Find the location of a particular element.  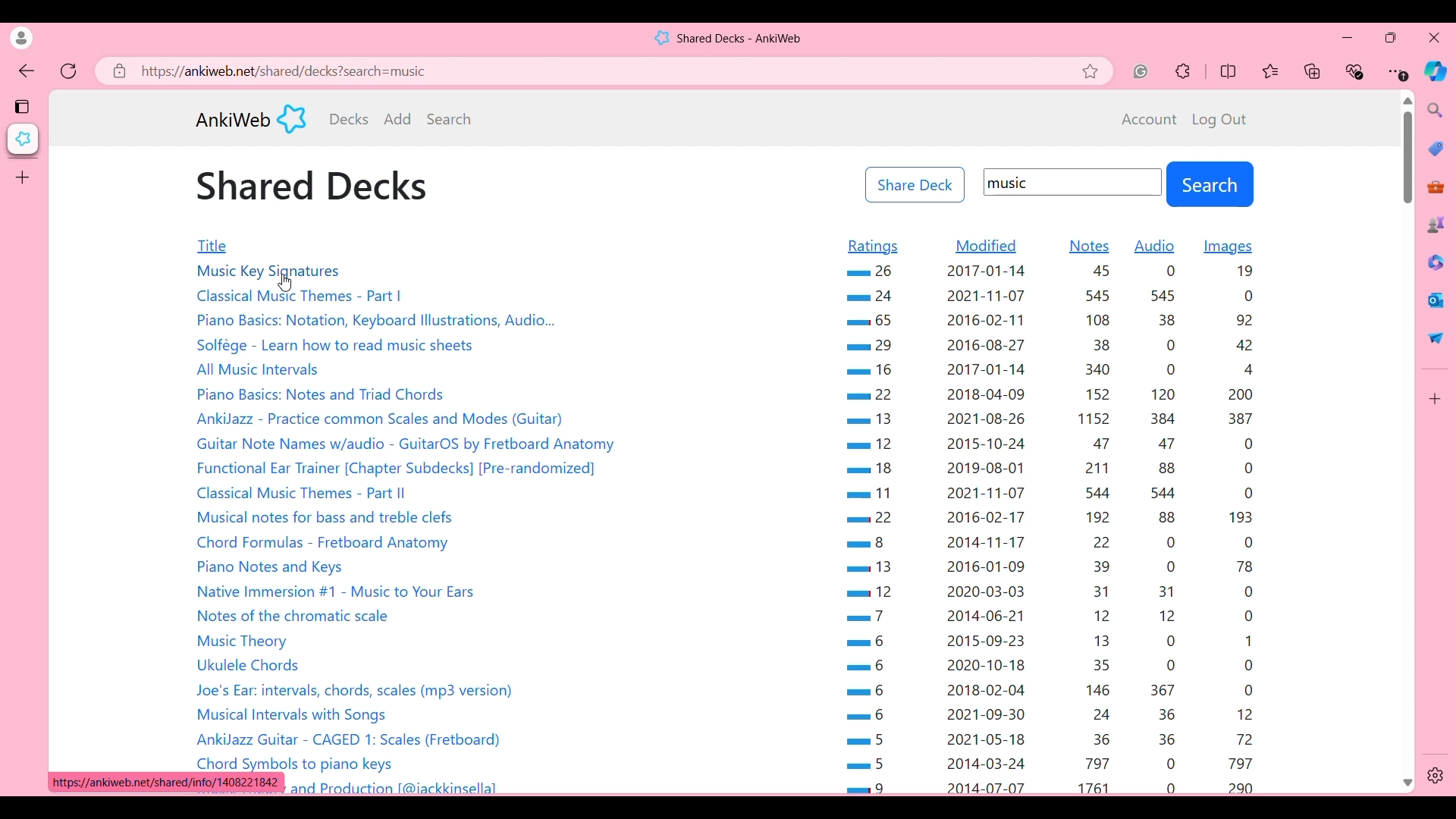

-m 13 2021-08-26 1152 384 387 is located at coordinates (1049, 416).